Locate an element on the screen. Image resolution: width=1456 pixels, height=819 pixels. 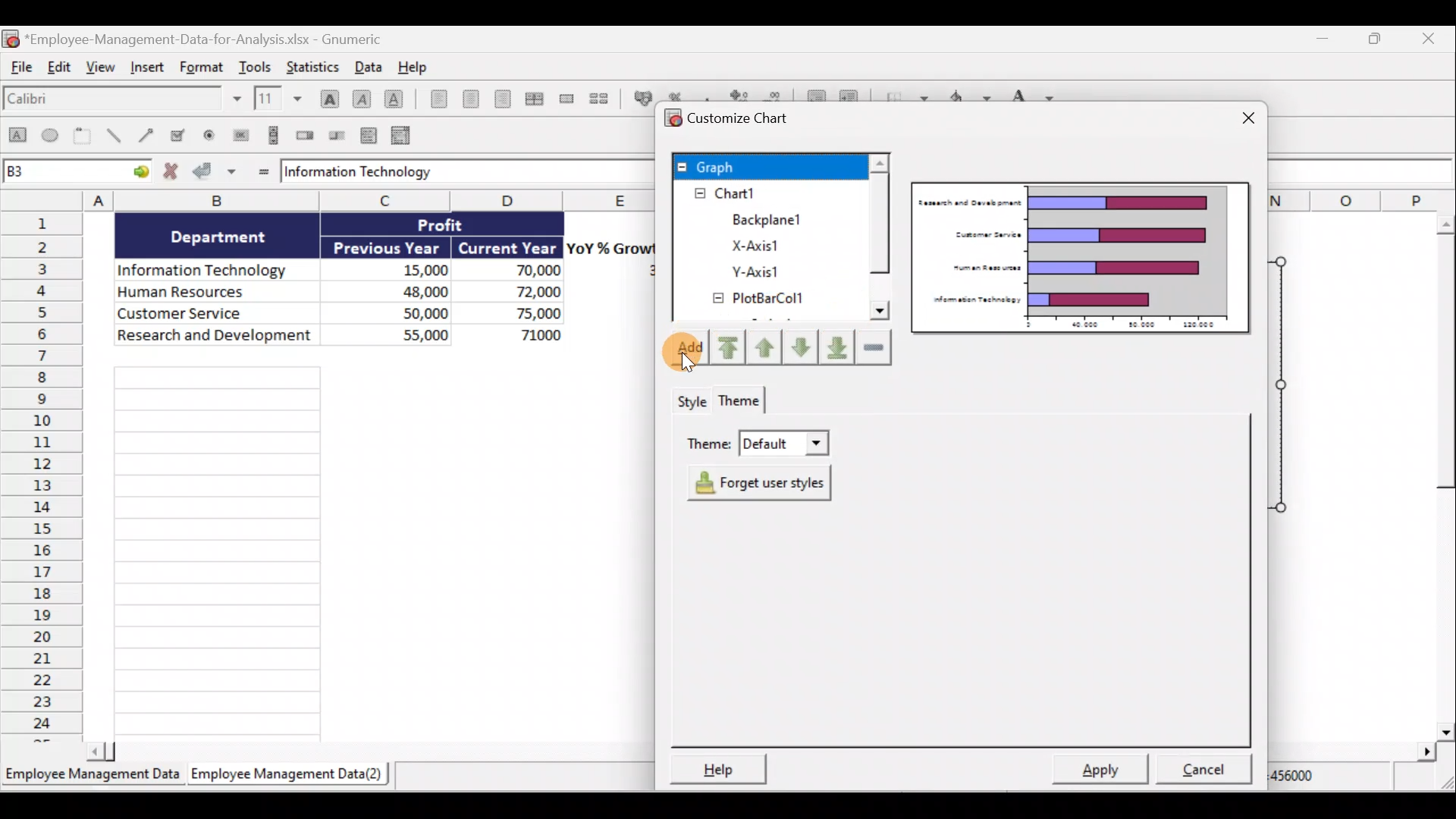
Graph is located at coordinates (768, 165).